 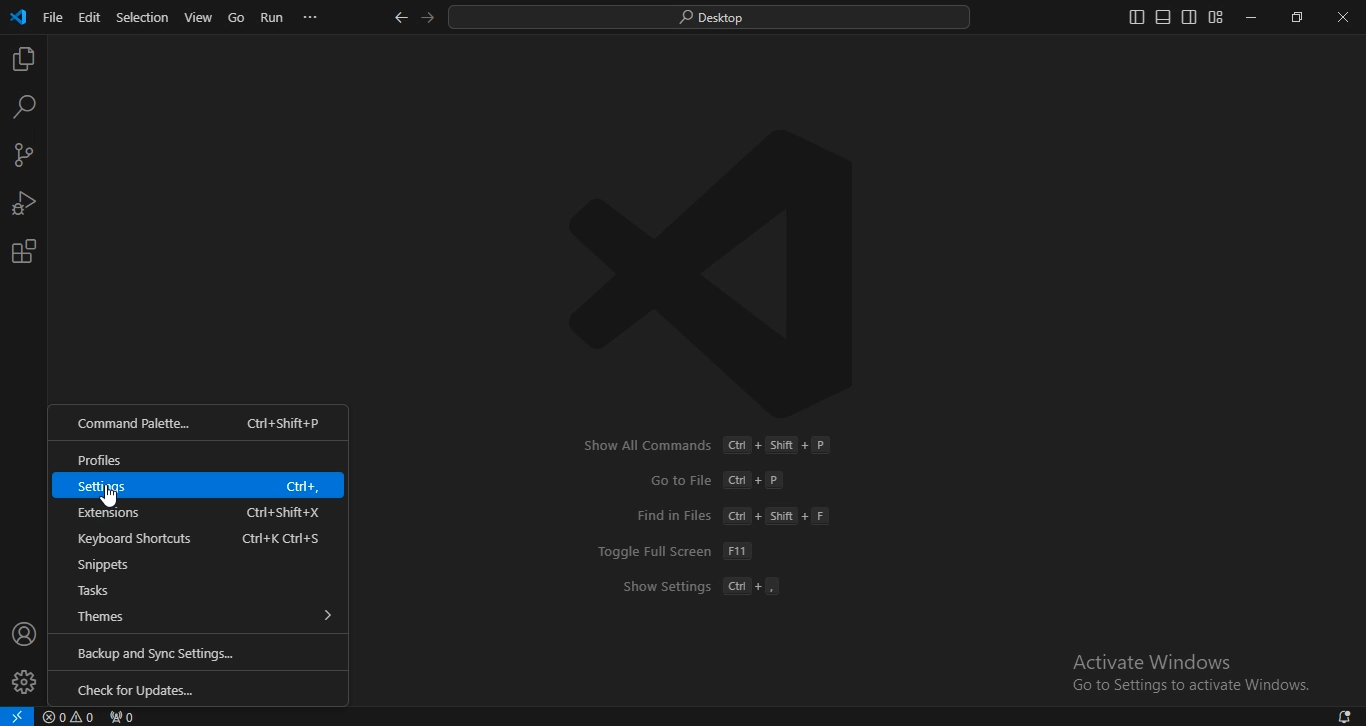 I want to click on command palette, so click(x=201, y=424).